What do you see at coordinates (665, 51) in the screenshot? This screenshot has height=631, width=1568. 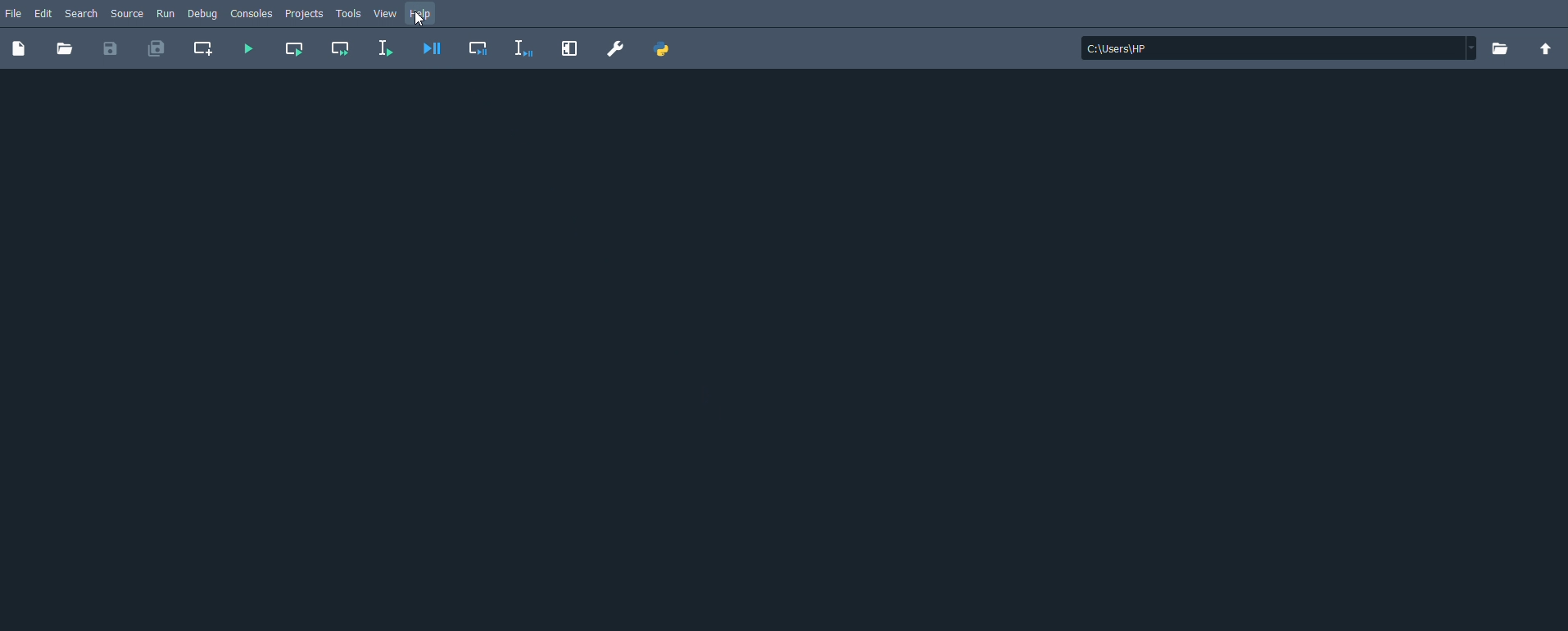 I see `PYTHONPATH manager` at bounding box center [665, 51].